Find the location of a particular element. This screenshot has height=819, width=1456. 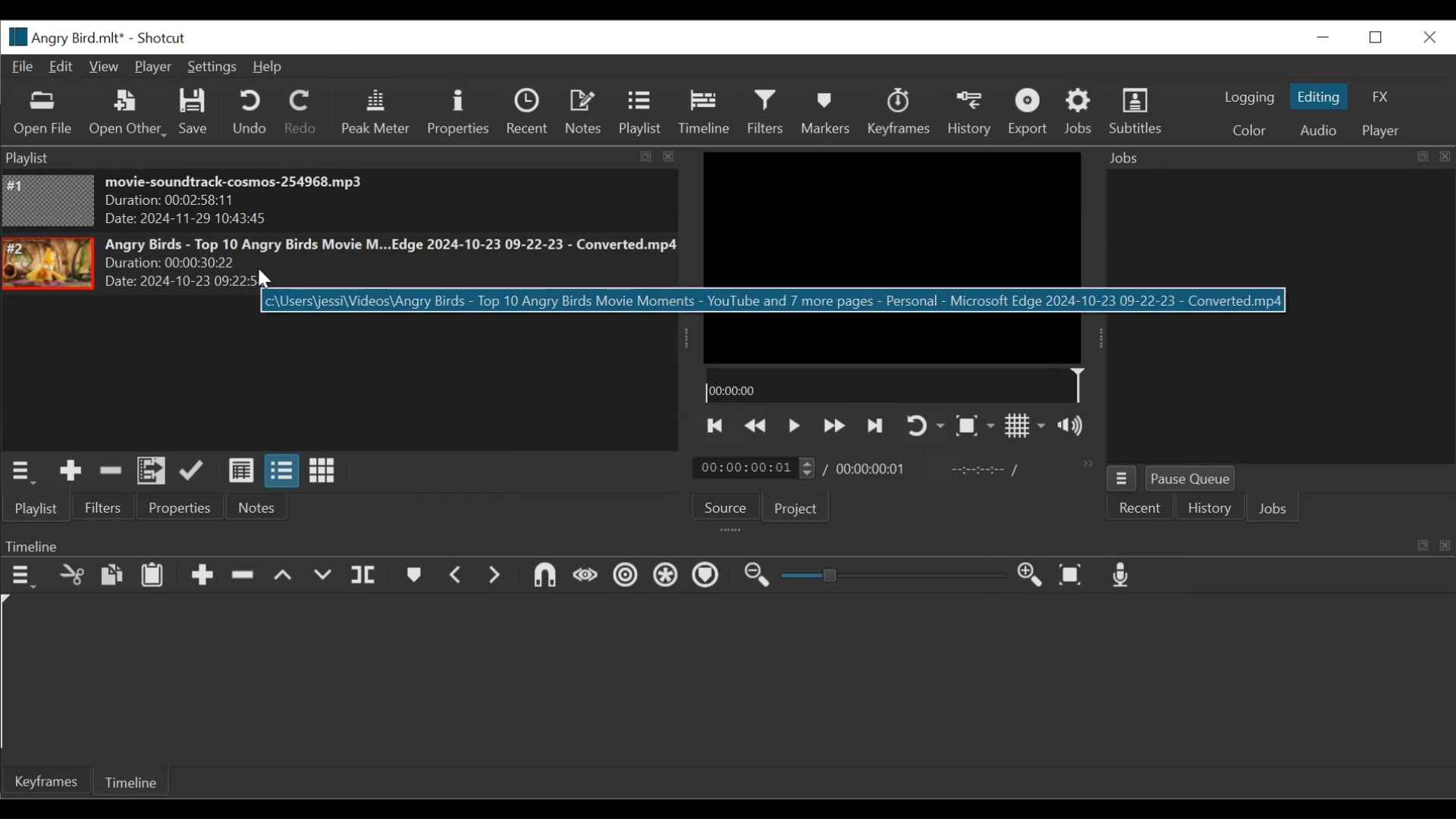

Snap is located at coordinates (542, 577).